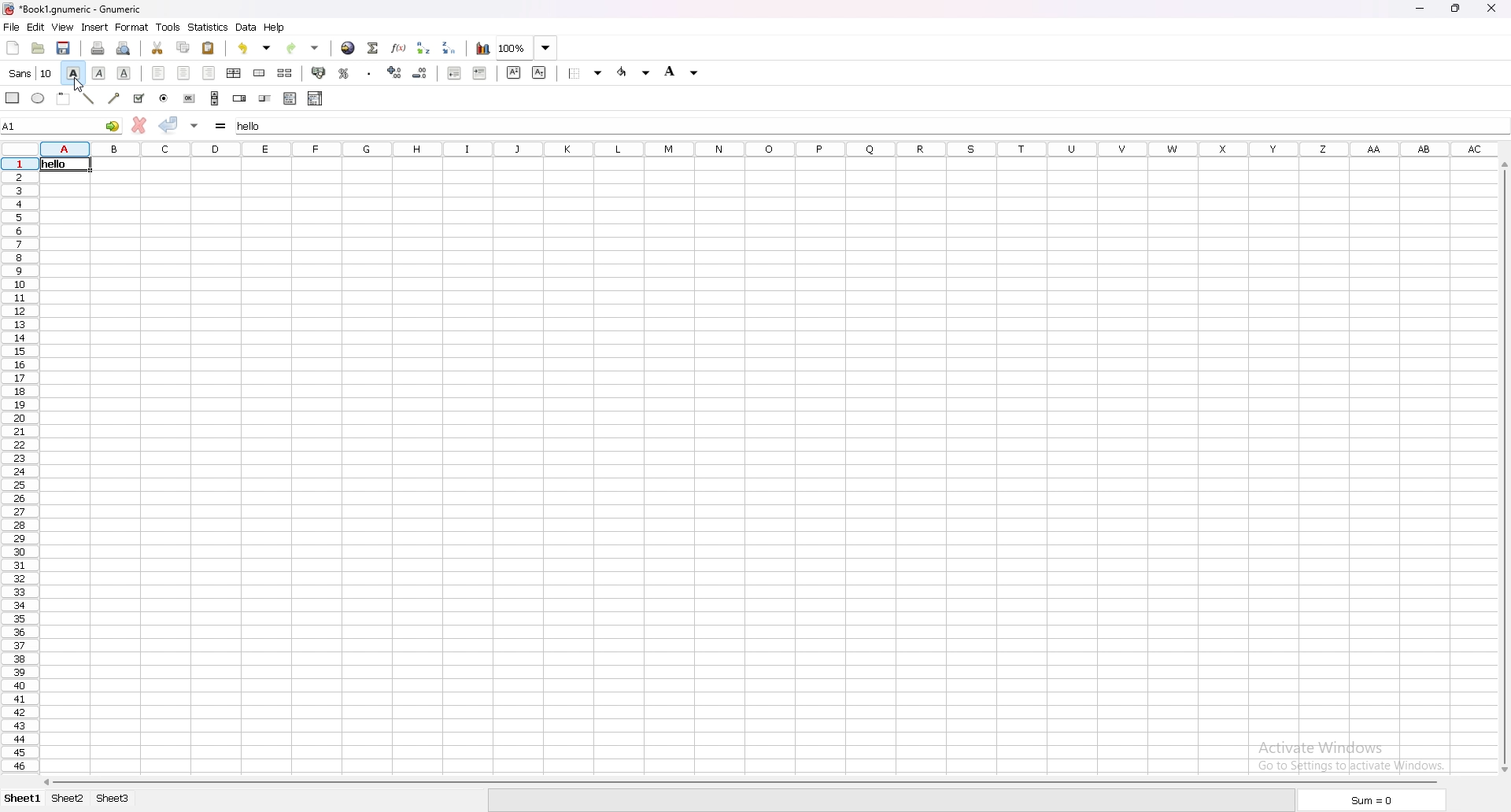  What do you see at coordinates (683, 70) in the screenshot?
I see `foreground` at bounding box center [683, 70].